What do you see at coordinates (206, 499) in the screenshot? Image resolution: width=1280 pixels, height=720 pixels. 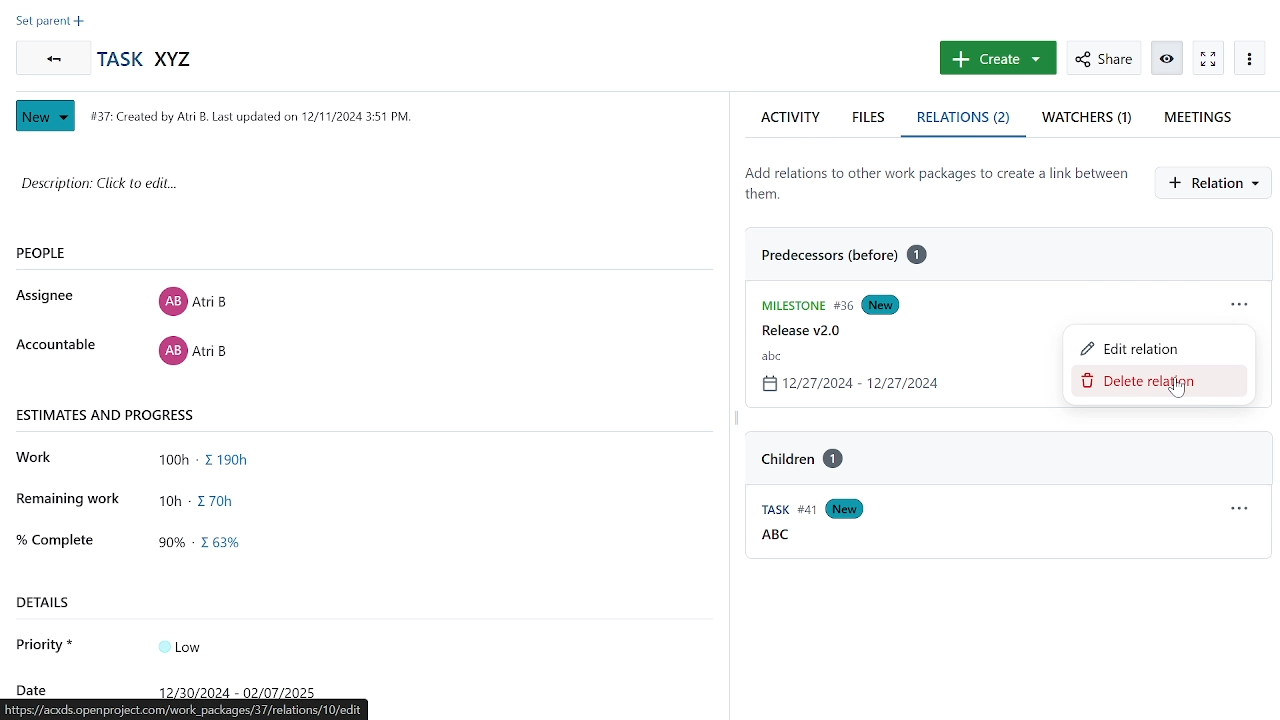 I see `remaining work` at bounding box center [206, 499].